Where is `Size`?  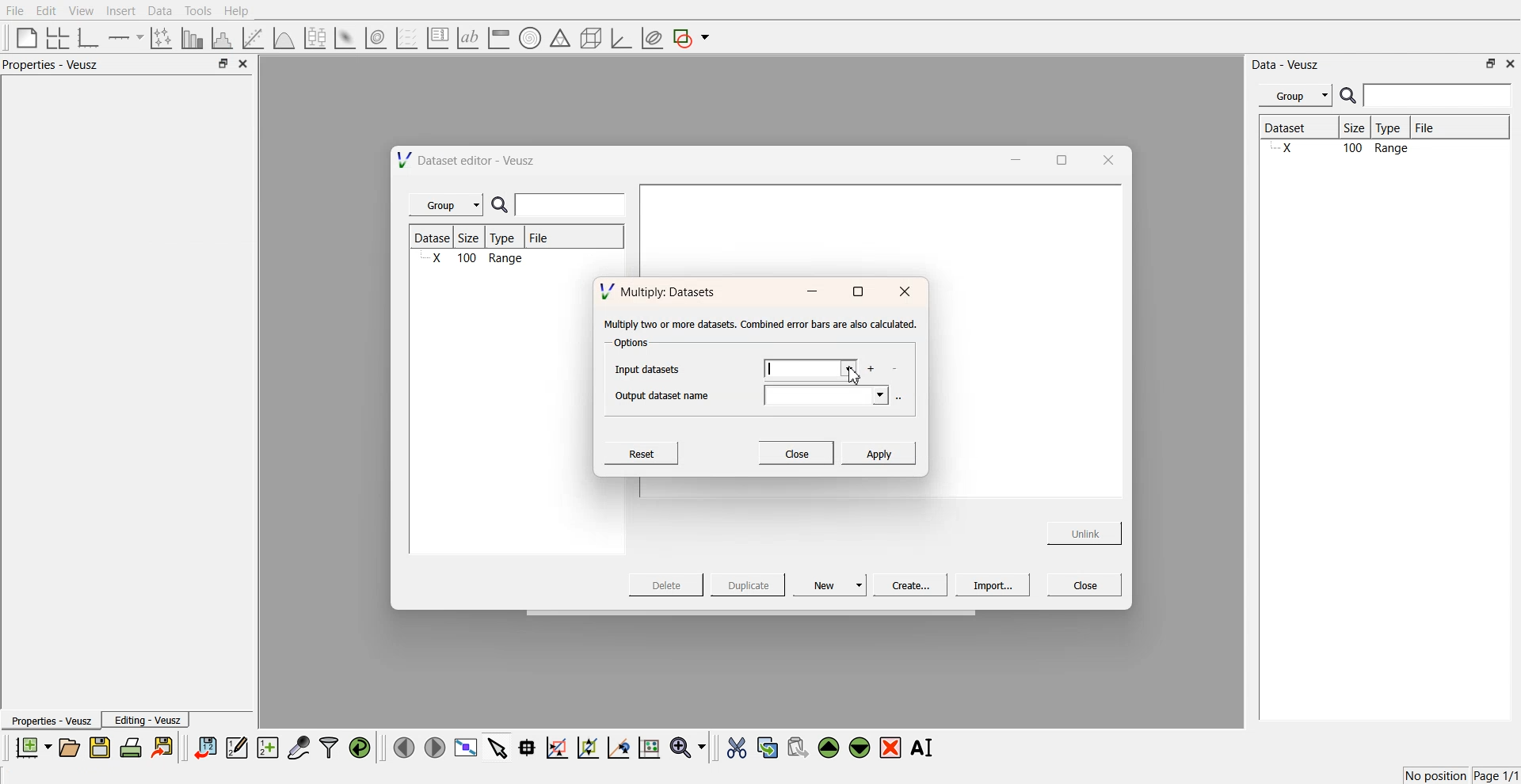
Size is located at coordinates (474, 238).